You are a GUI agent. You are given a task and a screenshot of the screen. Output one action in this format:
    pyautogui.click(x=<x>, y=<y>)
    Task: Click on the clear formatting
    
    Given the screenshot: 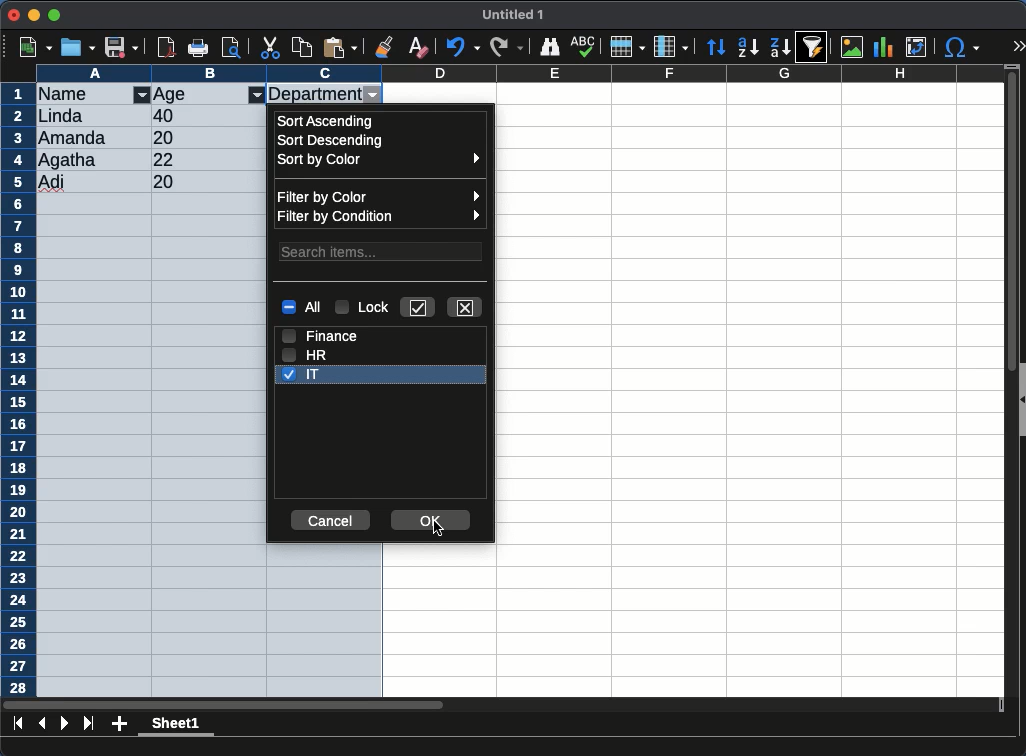 What is the action you would take?
    pyautogui.click(x=418, y=46)
    